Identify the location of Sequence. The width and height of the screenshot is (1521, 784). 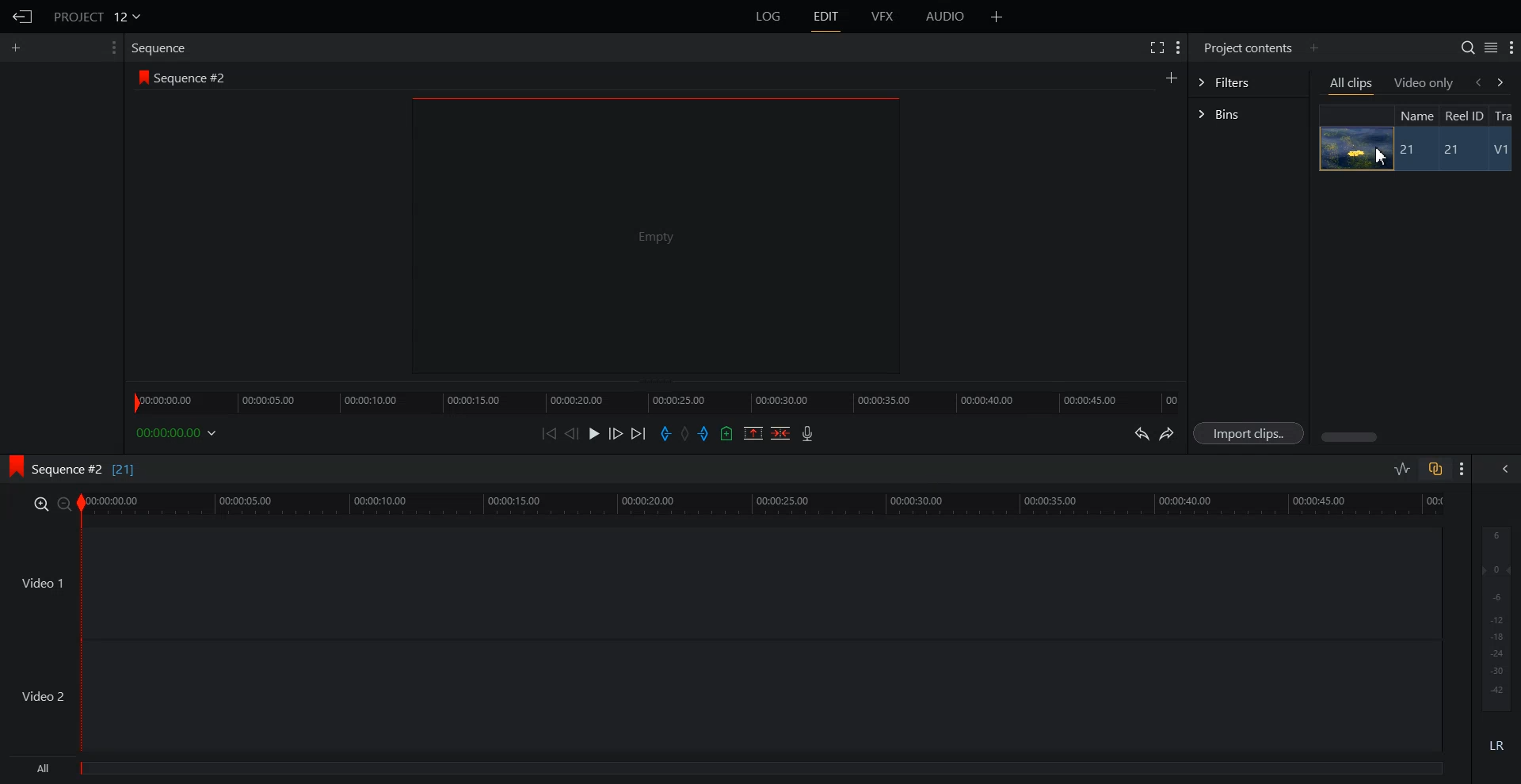
(162, 48).